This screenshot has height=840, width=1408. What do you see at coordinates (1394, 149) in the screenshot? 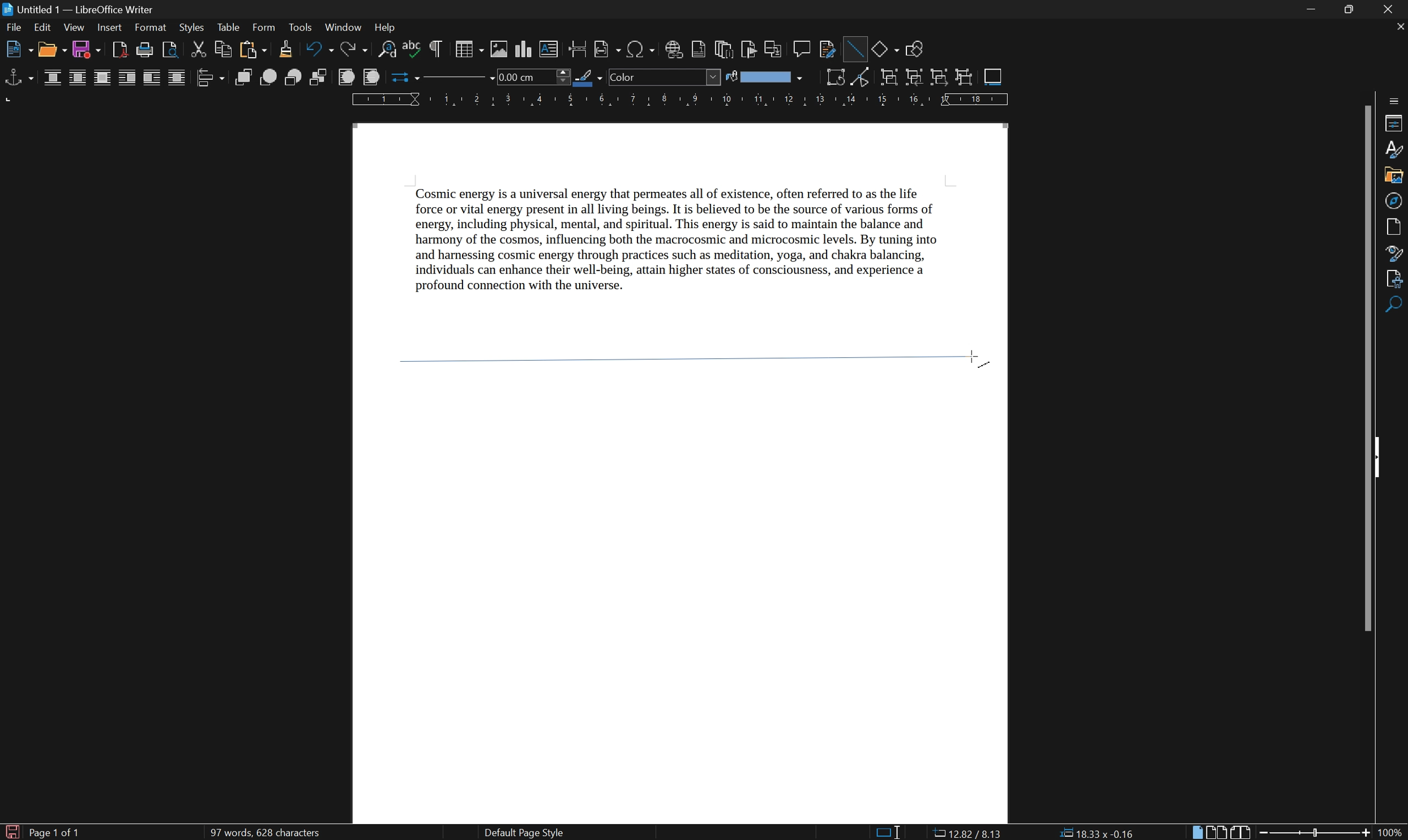
I see `styles` at bounding box center [1394, 149].